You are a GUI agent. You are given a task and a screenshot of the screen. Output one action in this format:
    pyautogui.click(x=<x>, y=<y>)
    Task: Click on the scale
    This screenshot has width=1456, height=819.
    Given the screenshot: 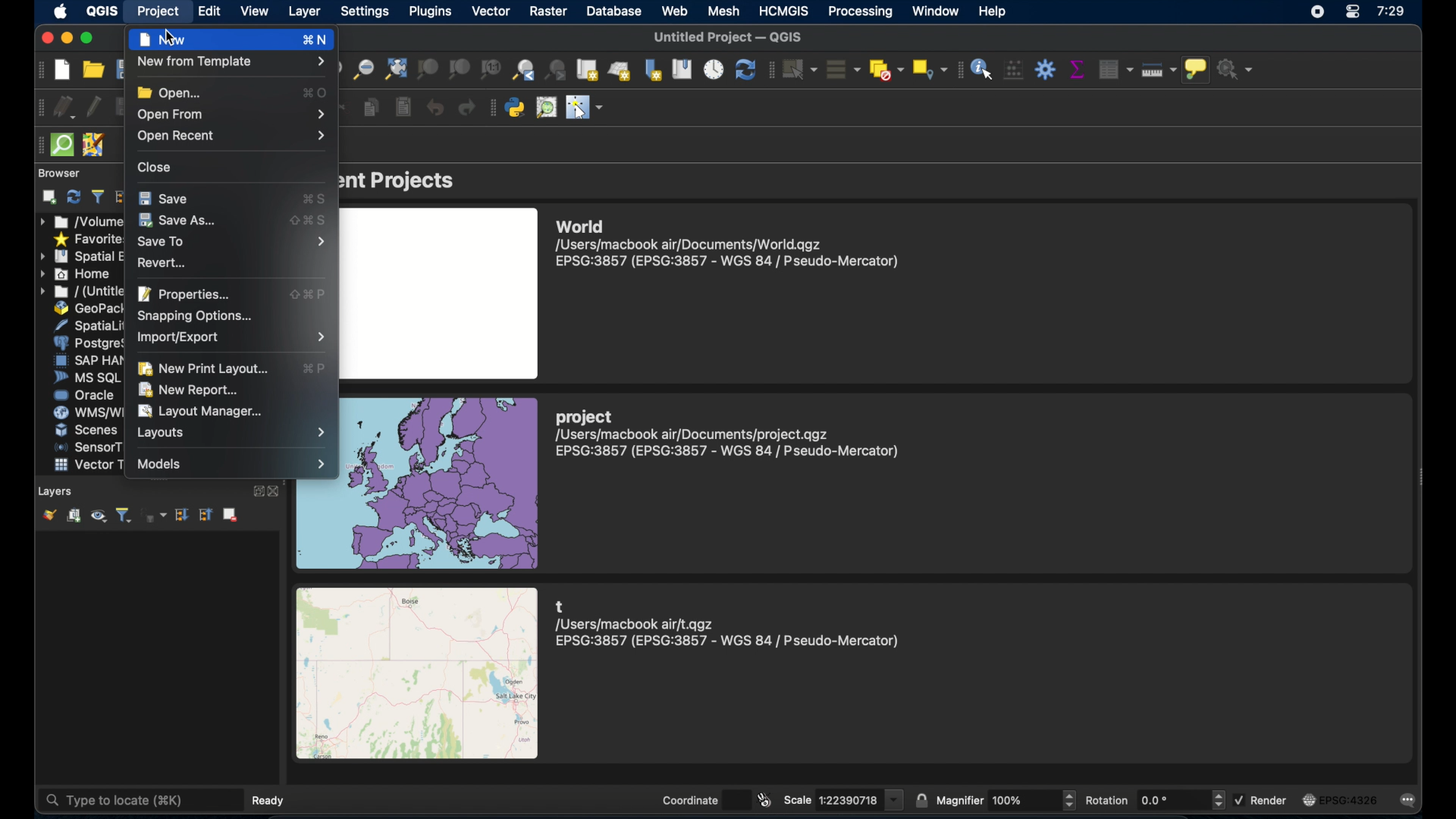 What is the action you would take?
    pyautogui.click(x=799, y=799)
    